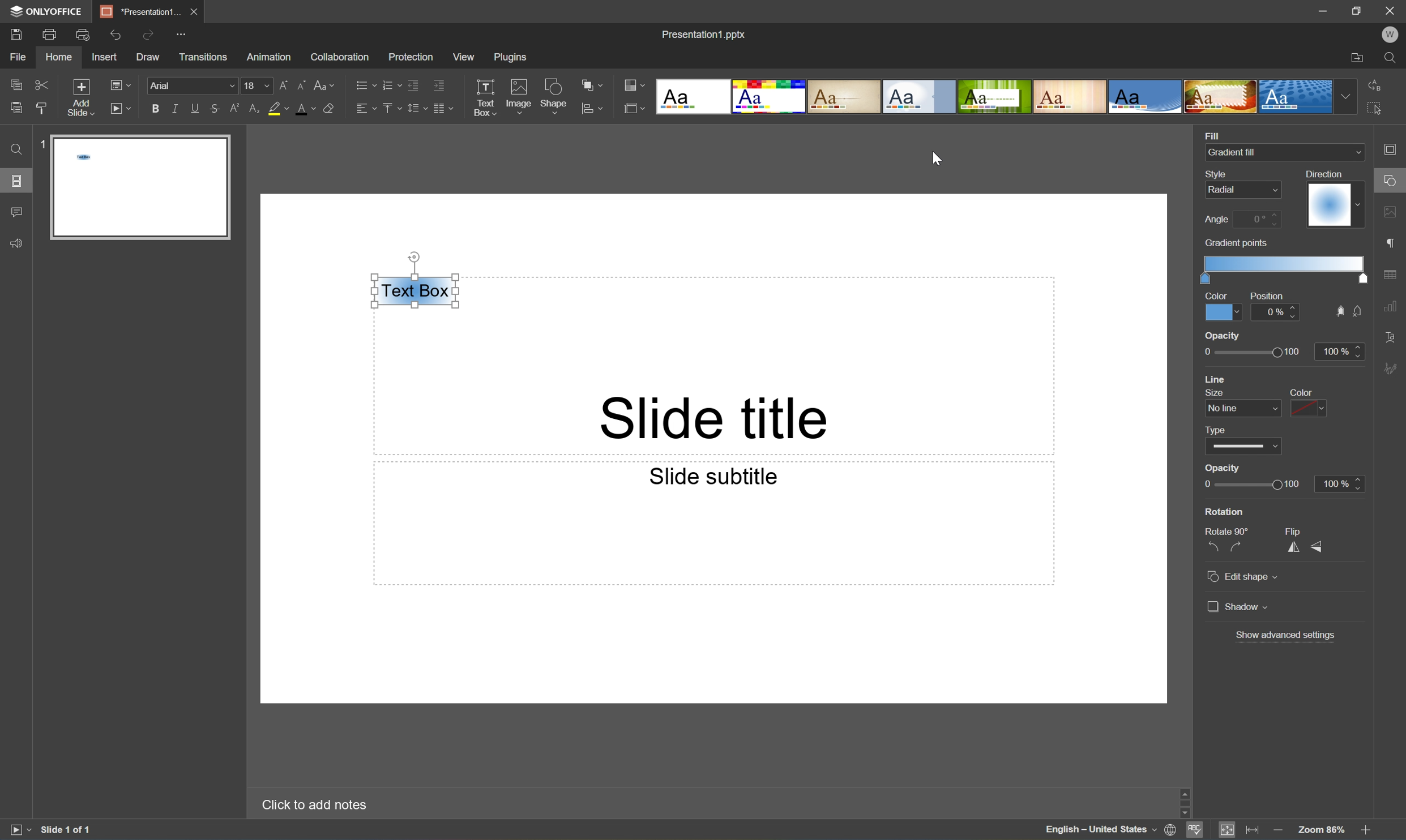 This screenshot has width=1406, height=840. Describe the element at coordinates (1216, 546) in the screenshot. I see `Rotate 90° counterclockwise` at that location.